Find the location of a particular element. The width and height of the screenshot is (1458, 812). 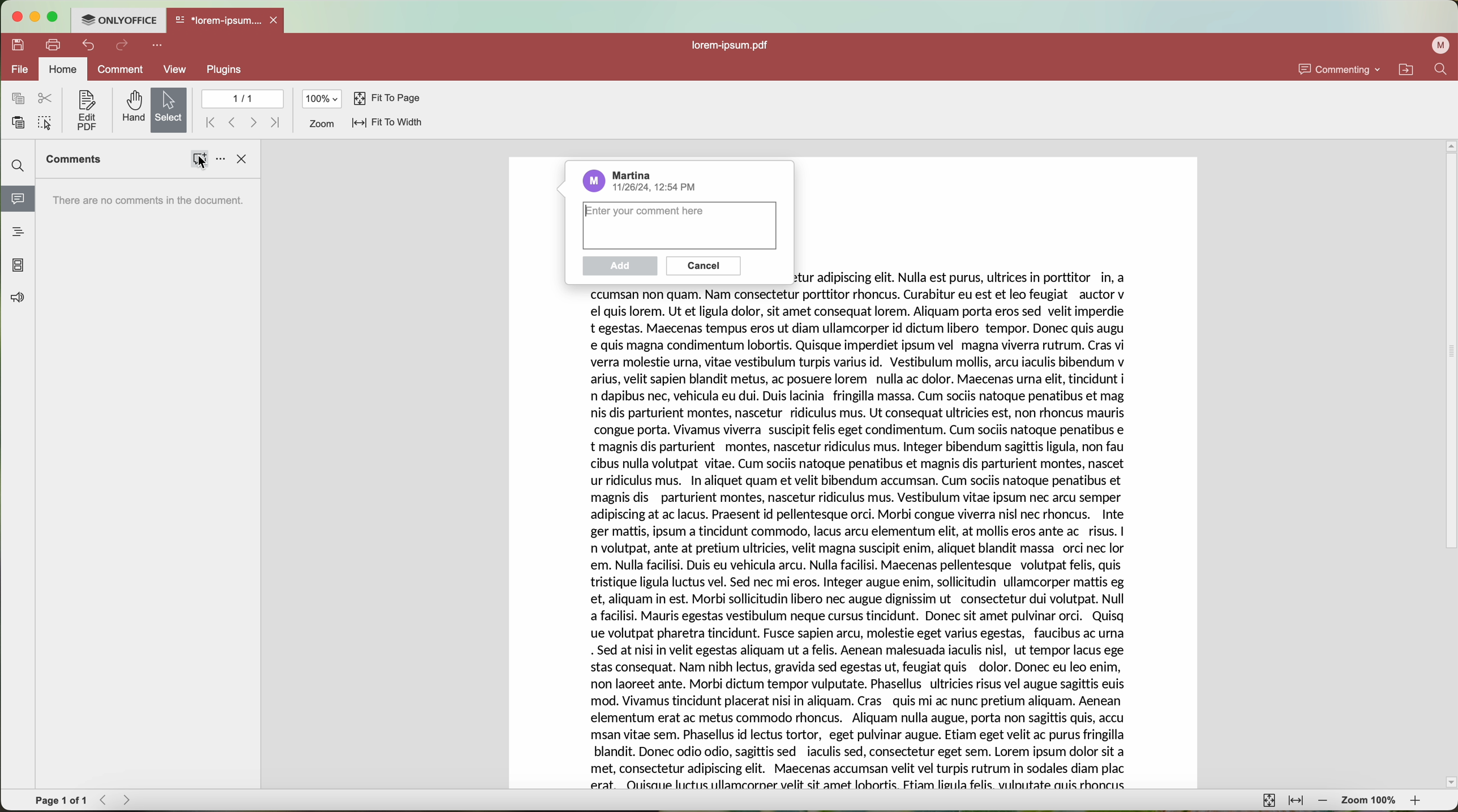

zoom 100% is located at coordinates (1370, 801).